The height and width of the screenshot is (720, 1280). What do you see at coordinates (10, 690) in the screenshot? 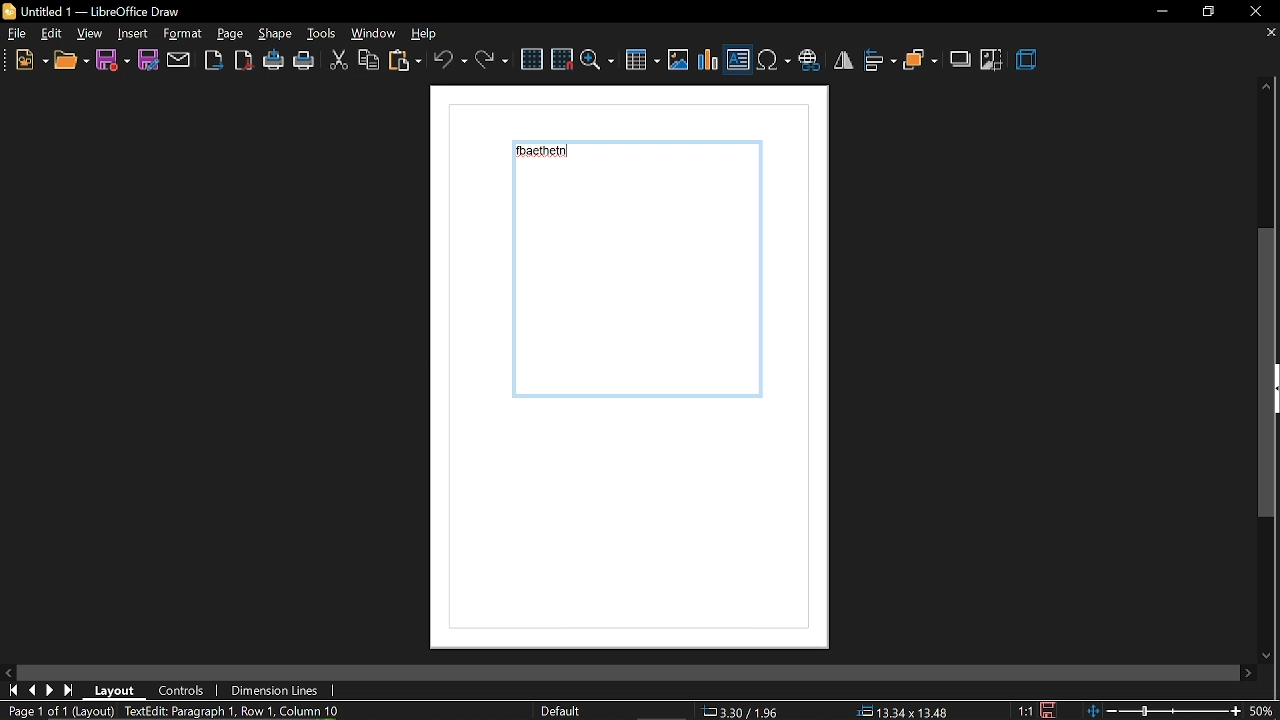
I see `go to first page` at bounding box center [10, 690].